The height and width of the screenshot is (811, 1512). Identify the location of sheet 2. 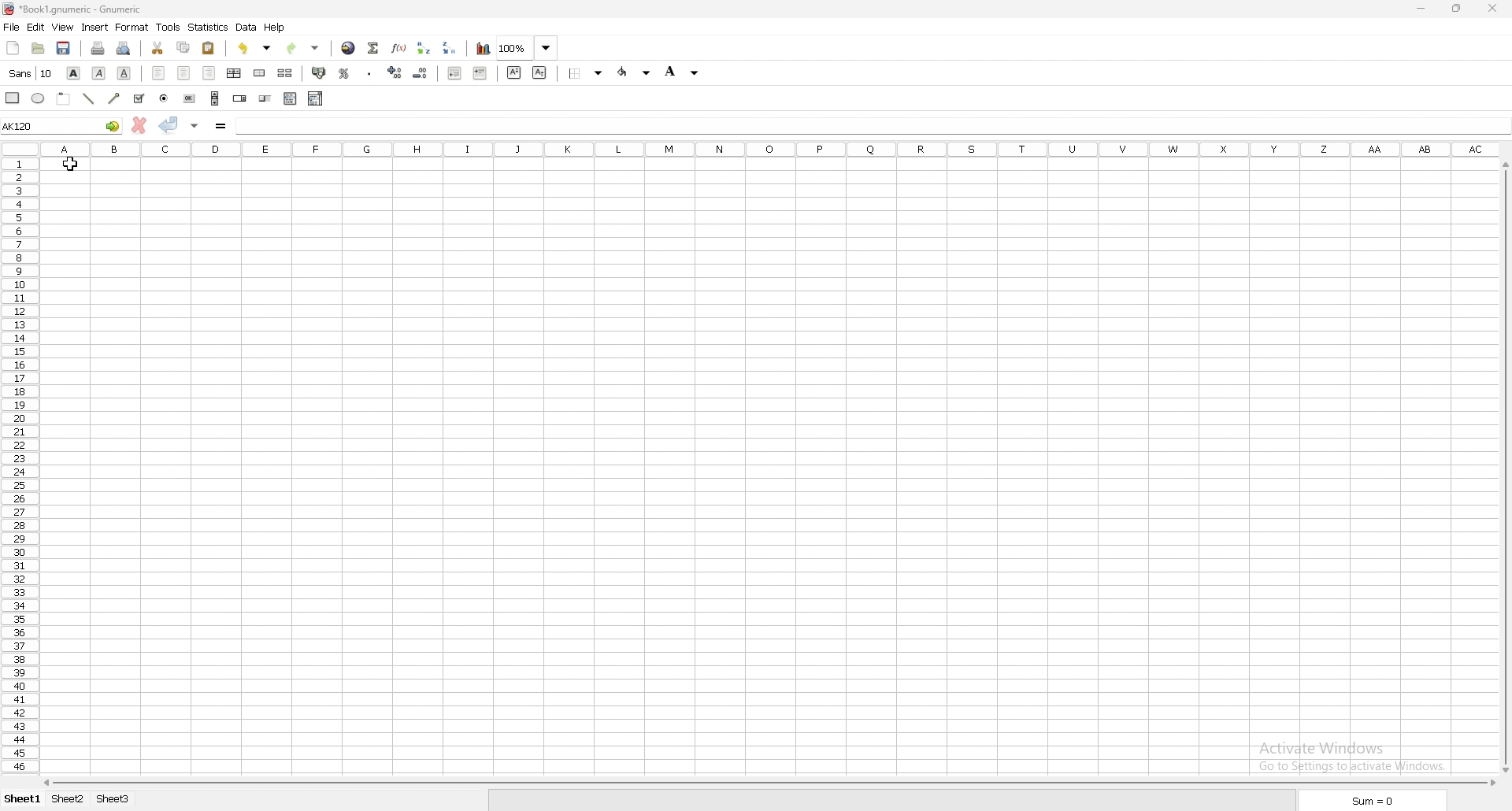
(69, 800).